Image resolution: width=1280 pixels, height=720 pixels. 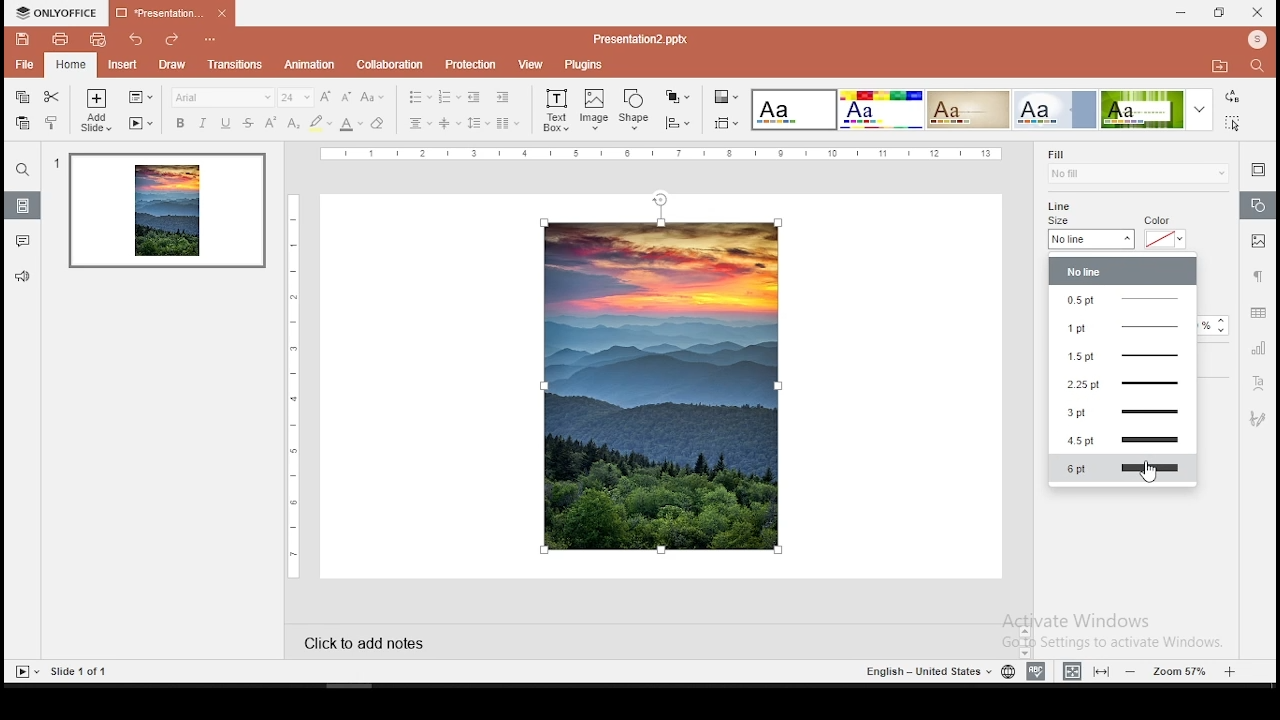 What do you see at coordinates (502, 96) in the screenshot?
I see `increase indent` at bounding box center [502, 96].